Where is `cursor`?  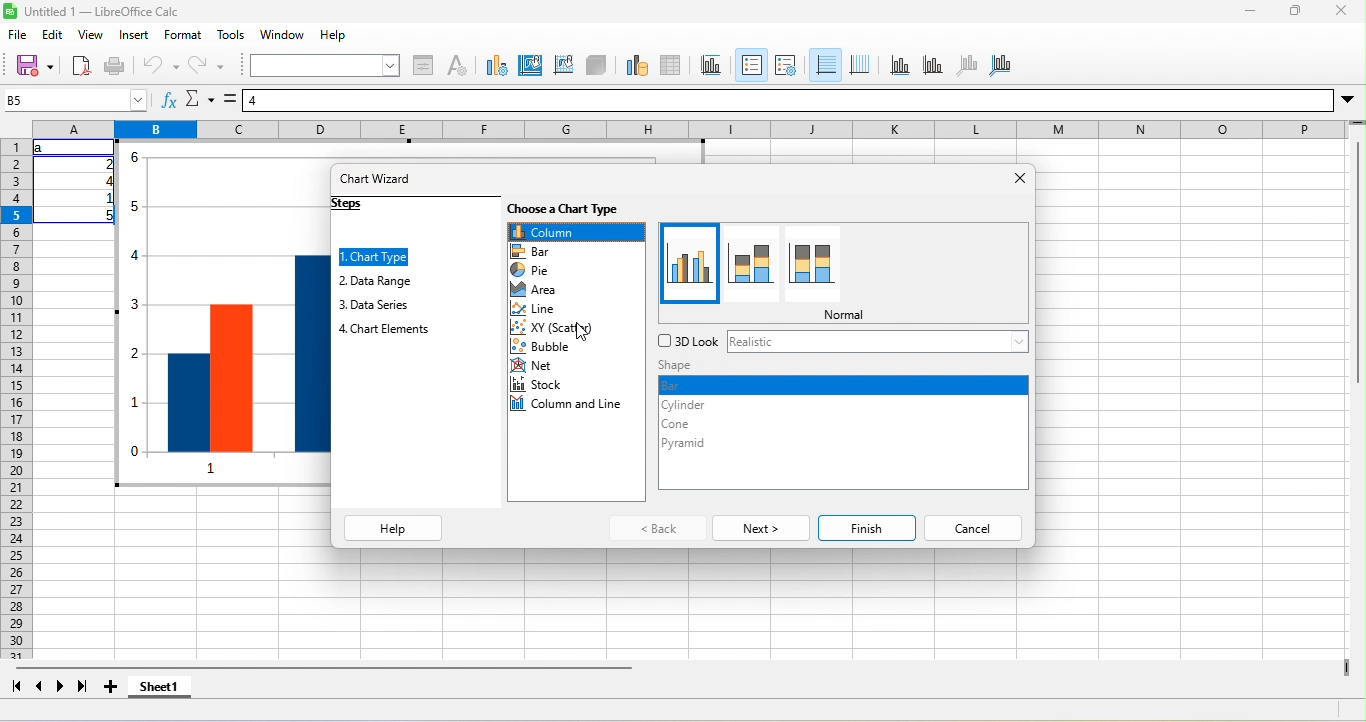 cursor is located at coordinates (582, 332).